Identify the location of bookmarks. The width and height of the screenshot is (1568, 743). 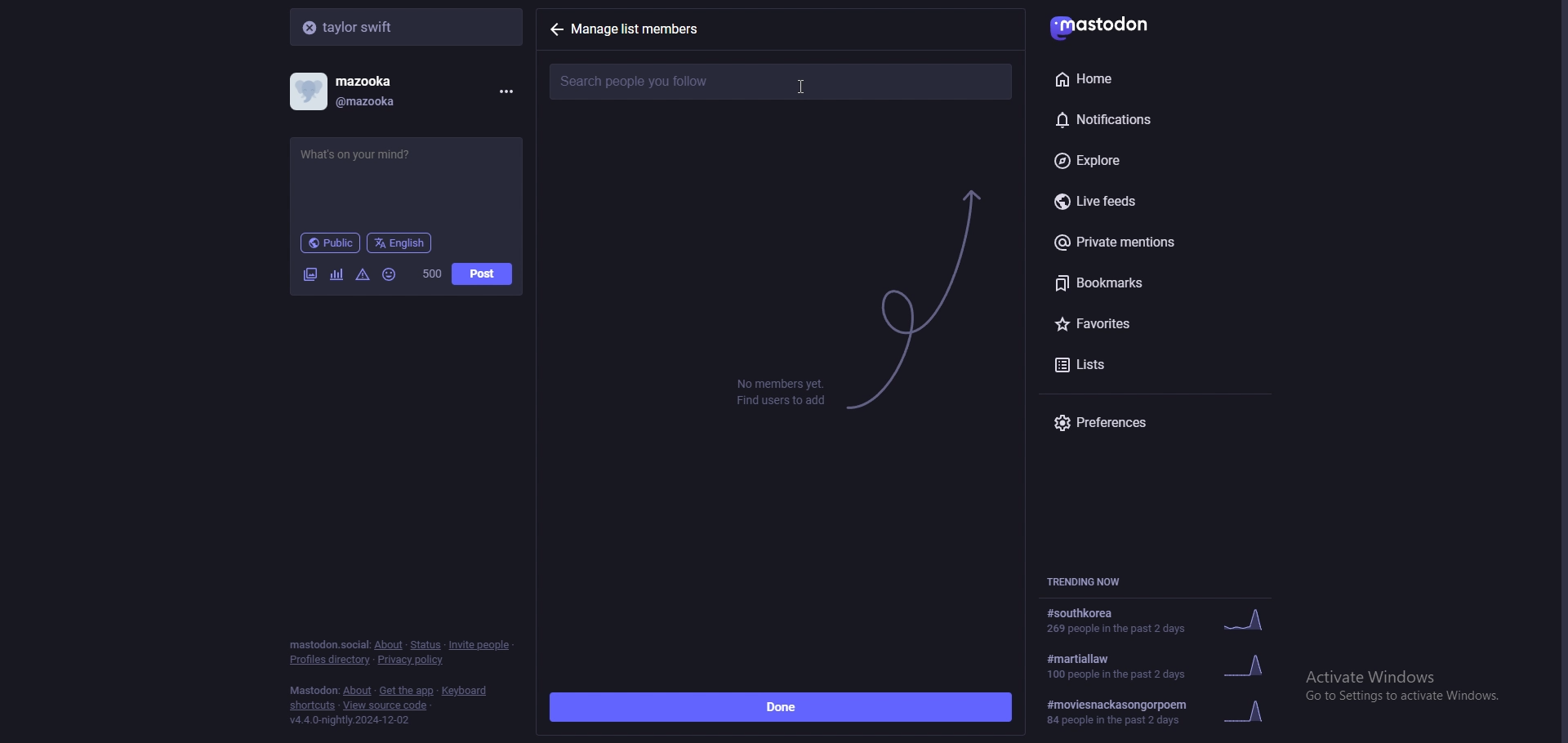
(1158, 283).